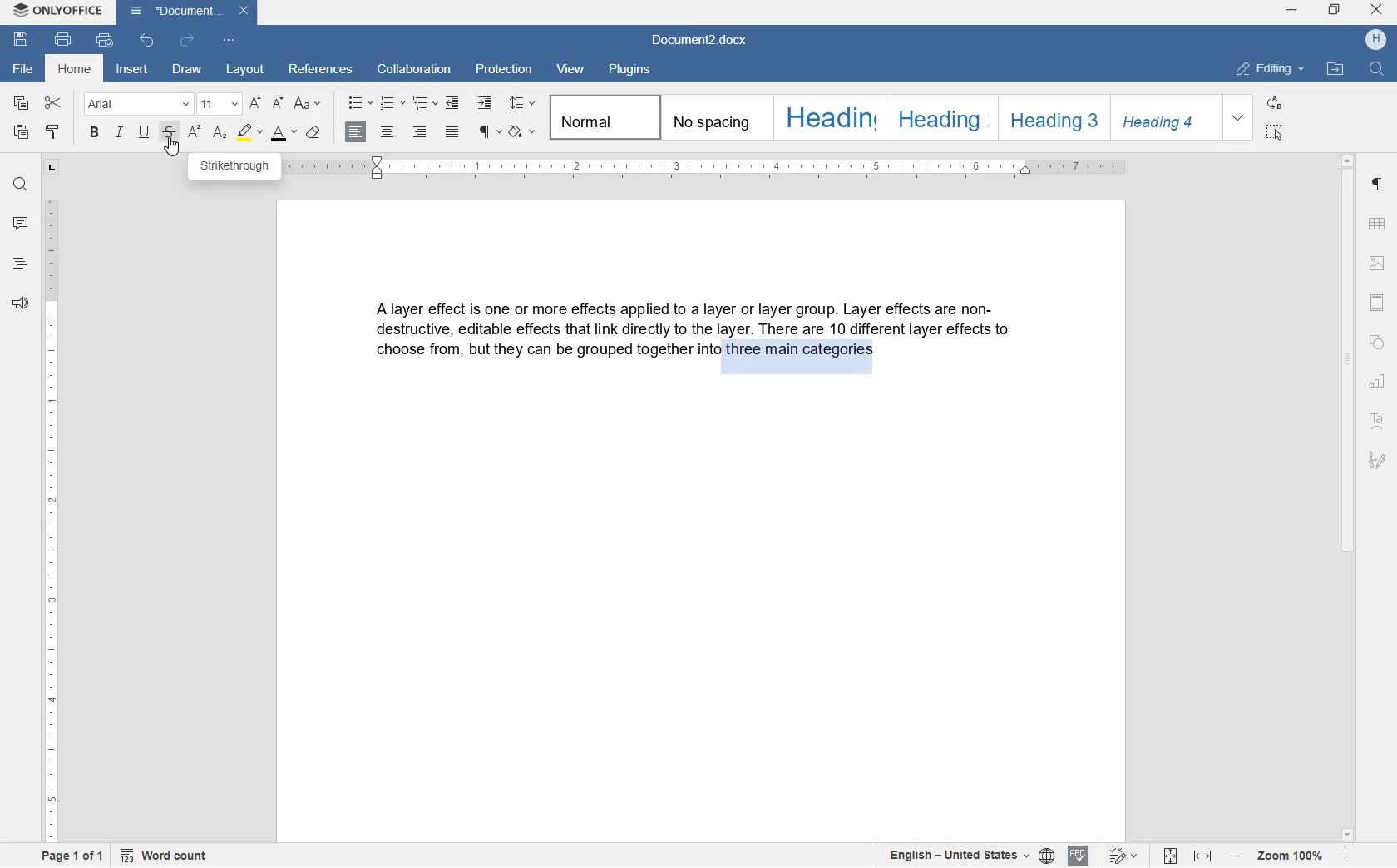  I want to click on text art, so click(1380, 424).